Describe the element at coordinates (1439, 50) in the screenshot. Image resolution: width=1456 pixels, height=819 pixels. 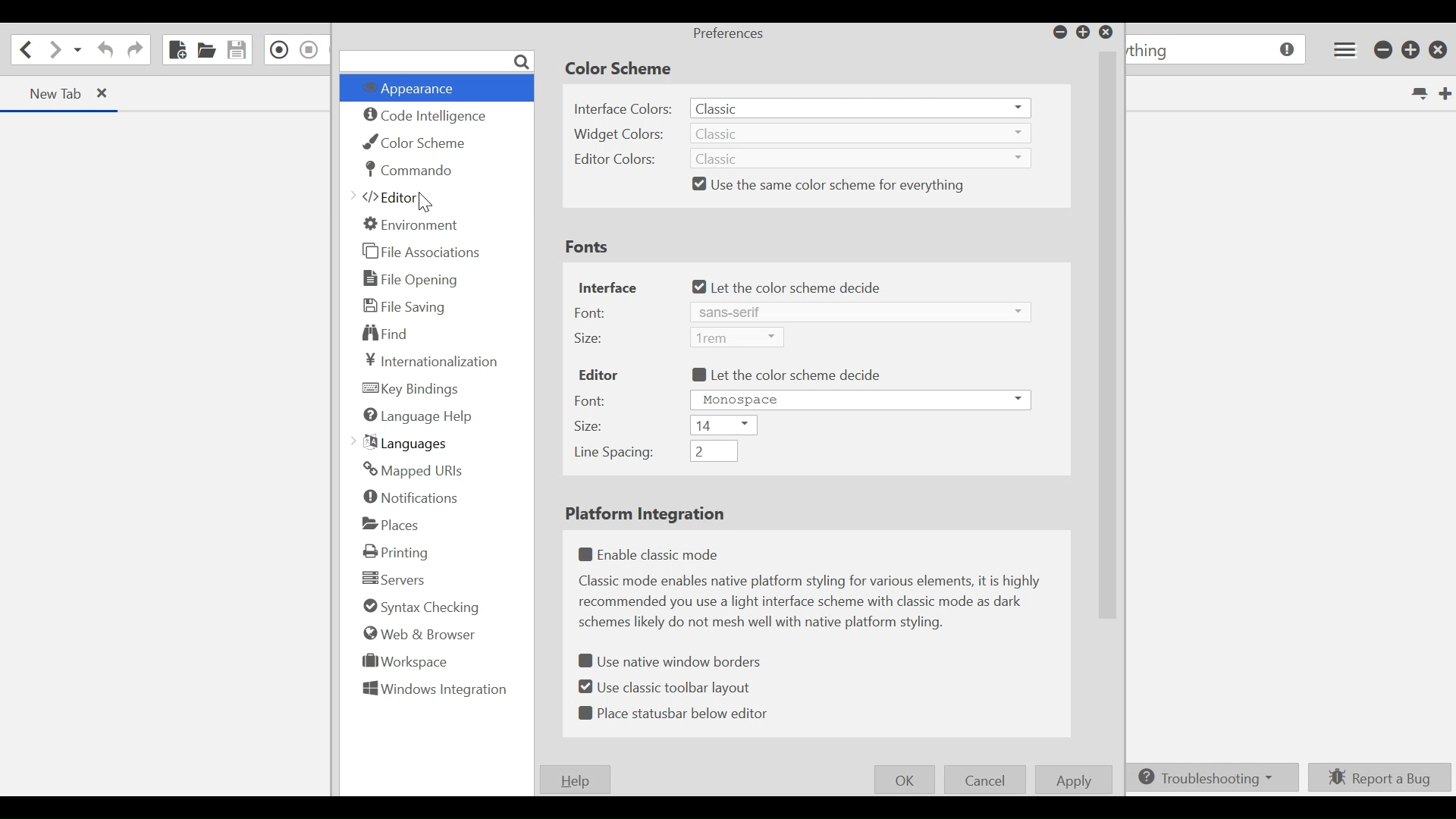
I see `Close` at that location.